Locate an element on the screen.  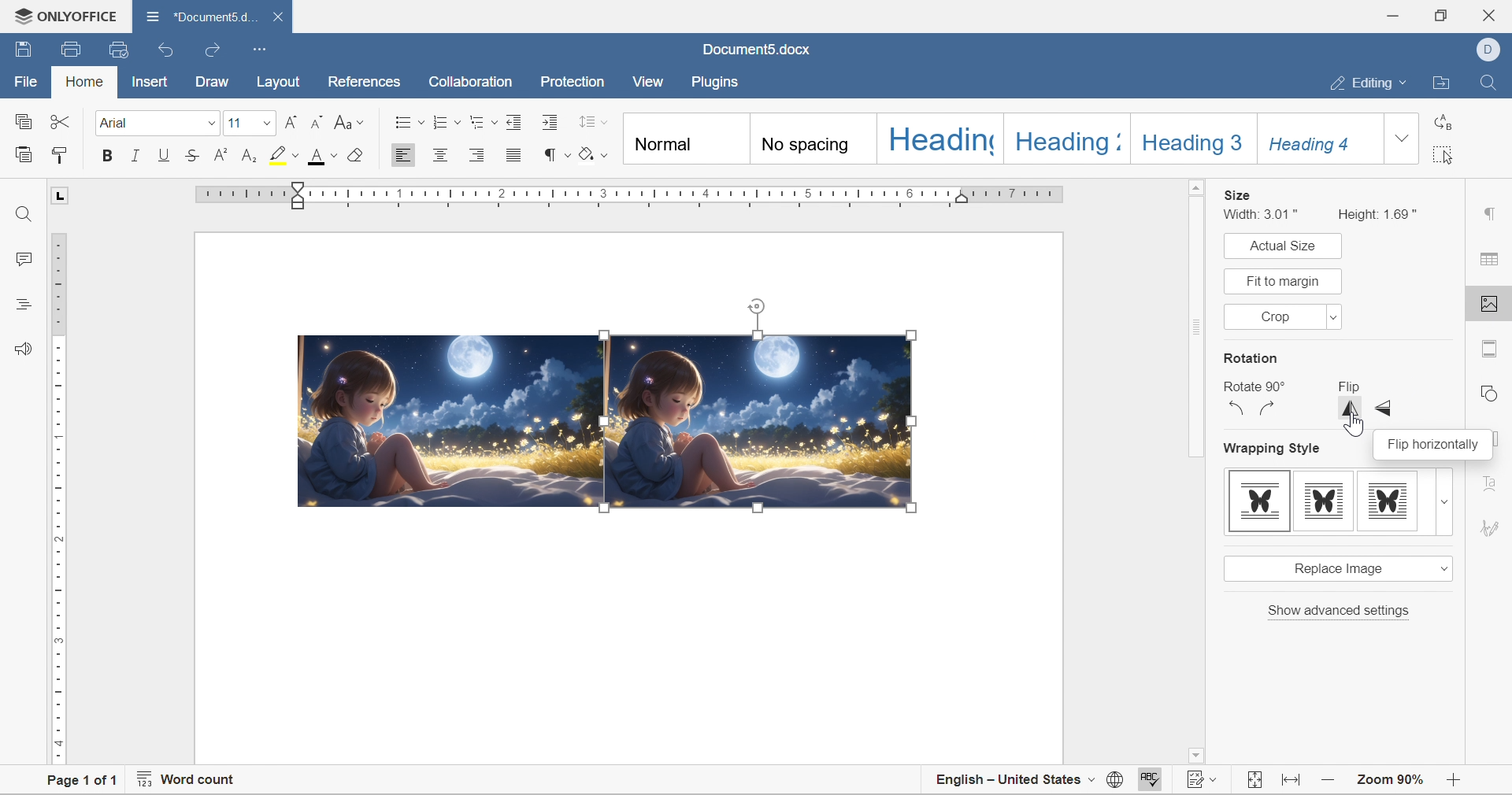
rotate anticlockwise is located at coordinates (1237, 409).